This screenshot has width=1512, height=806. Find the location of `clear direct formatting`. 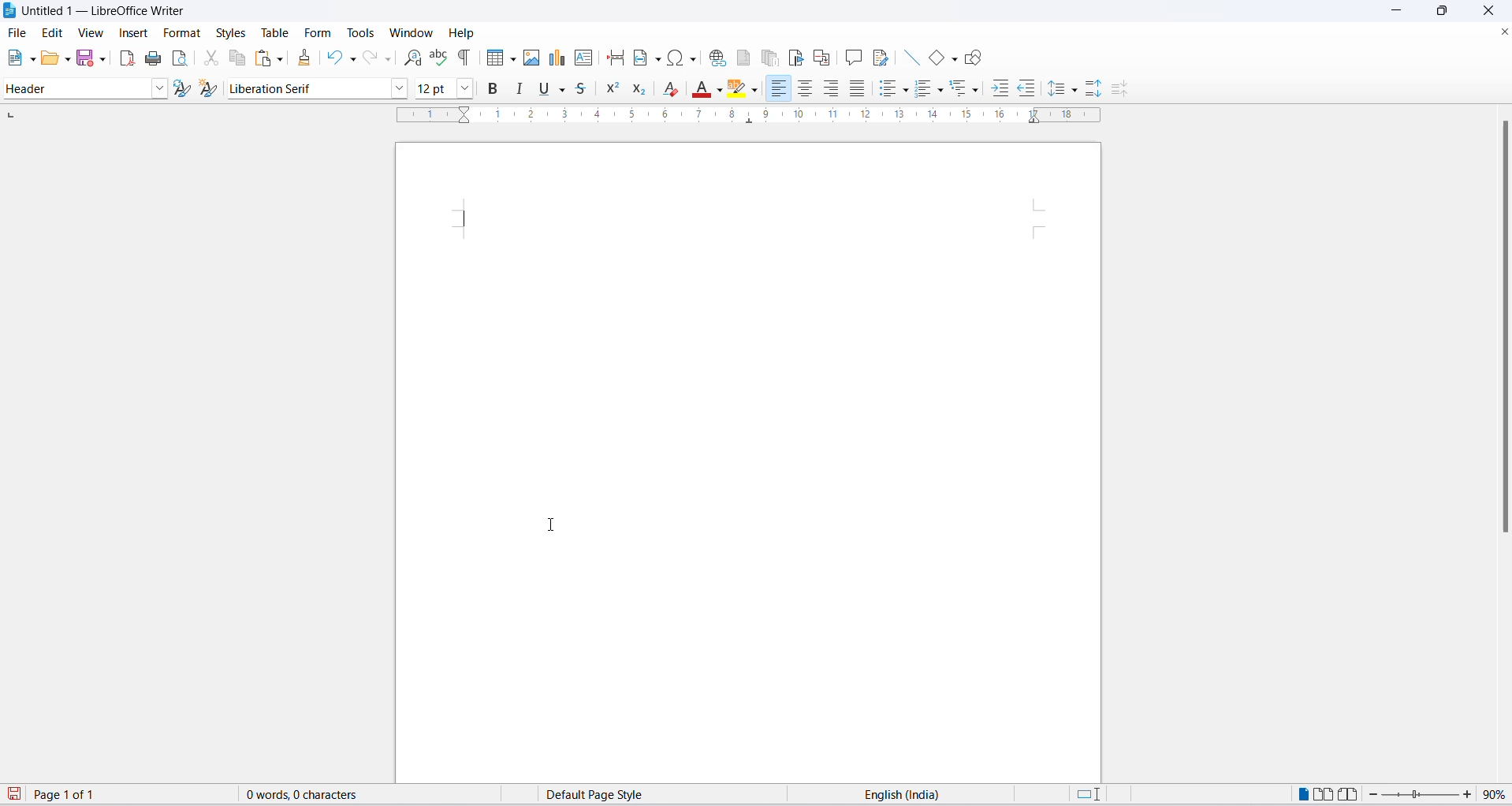

clear direct formatting is located at coordinates (674, 88).